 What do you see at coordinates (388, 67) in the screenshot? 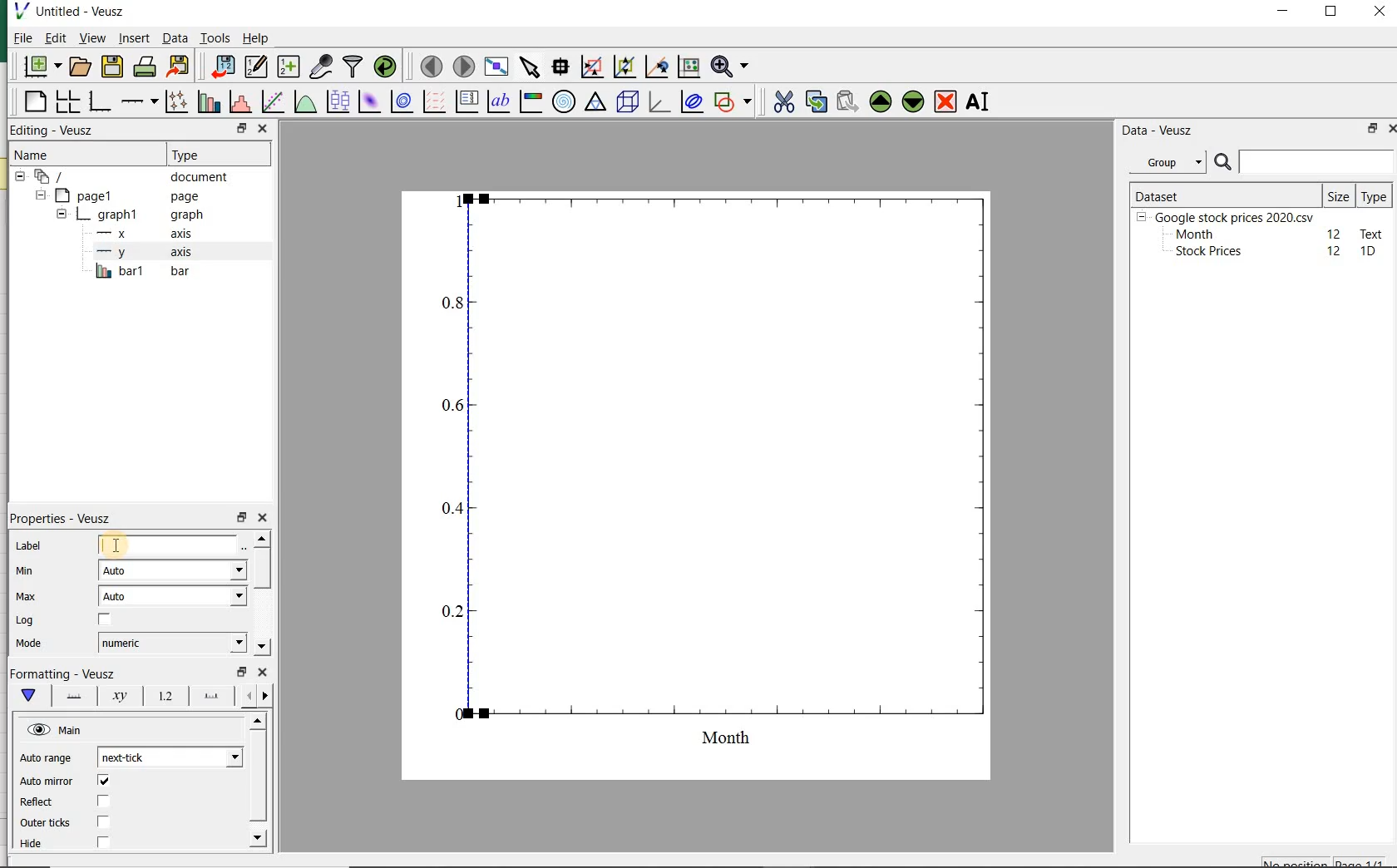
I see `reload linked datasets` at bounding box center [388, 67].